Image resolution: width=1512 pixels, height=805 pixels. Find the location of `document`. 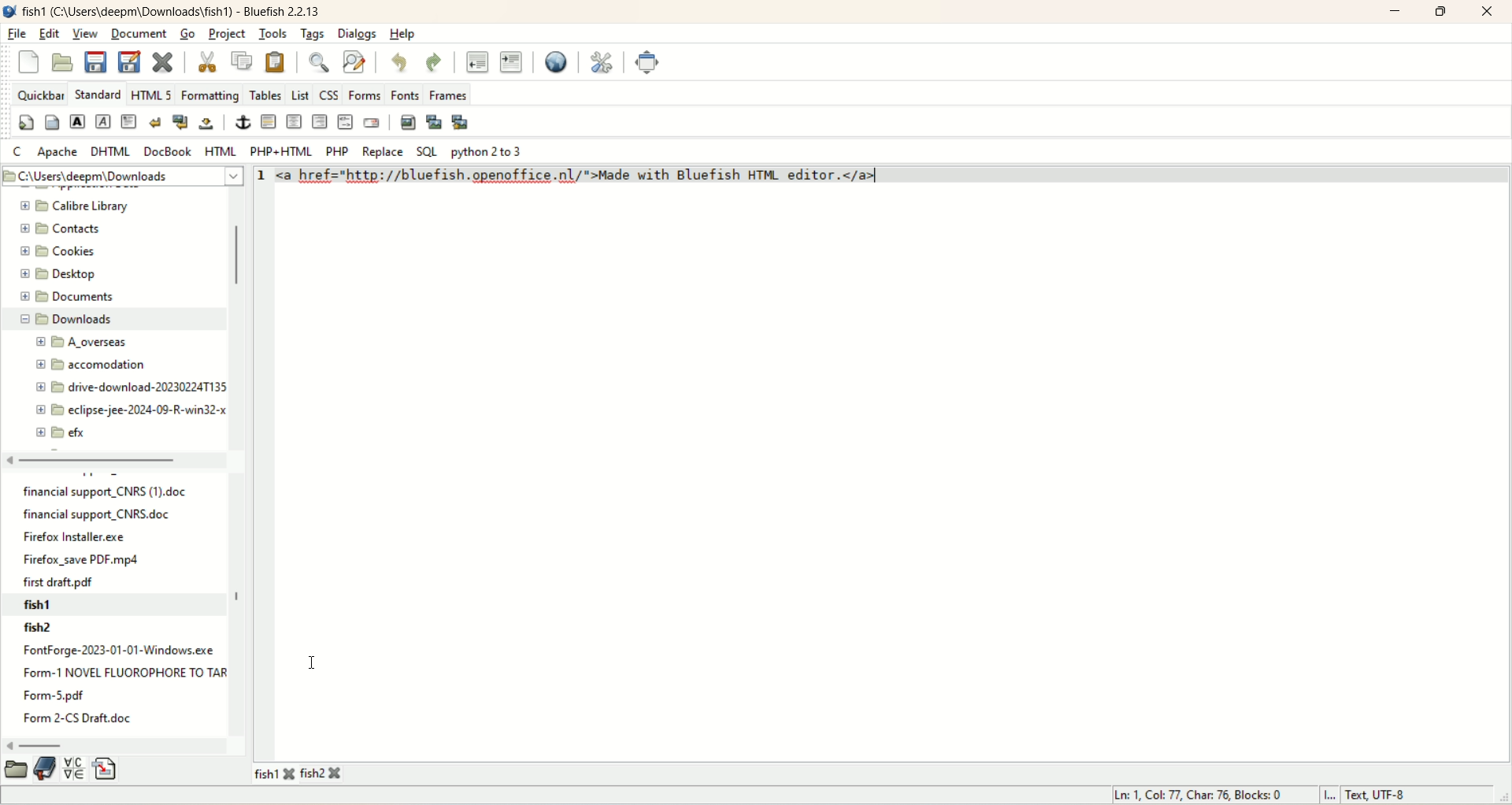

document is located at coordinates (139, 33).